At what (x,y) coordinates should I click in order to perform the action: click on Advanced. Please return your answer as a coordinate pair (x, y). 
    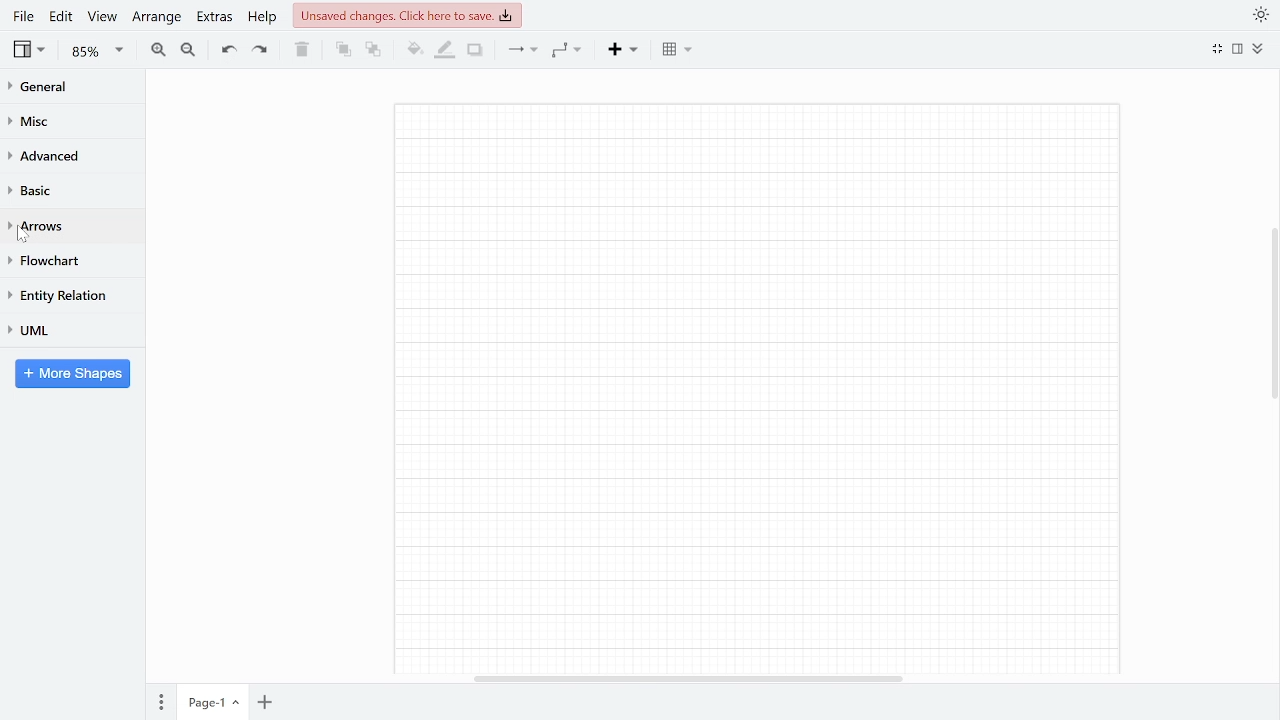
    Looking at the image, I should click on (44, 160).